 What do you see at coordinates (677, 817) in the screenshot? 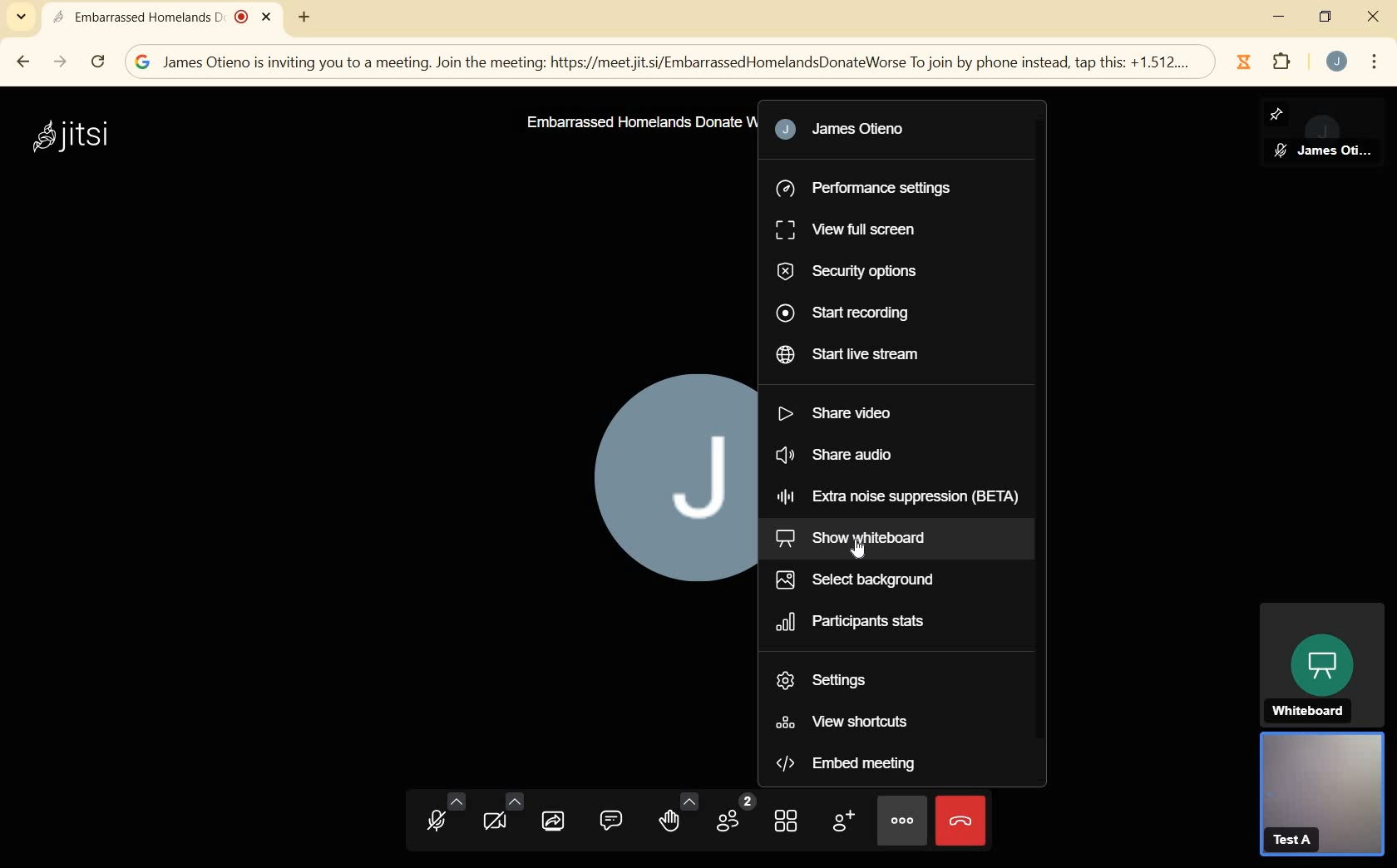
I see `raise your hand` at bounding box center [677, 817].